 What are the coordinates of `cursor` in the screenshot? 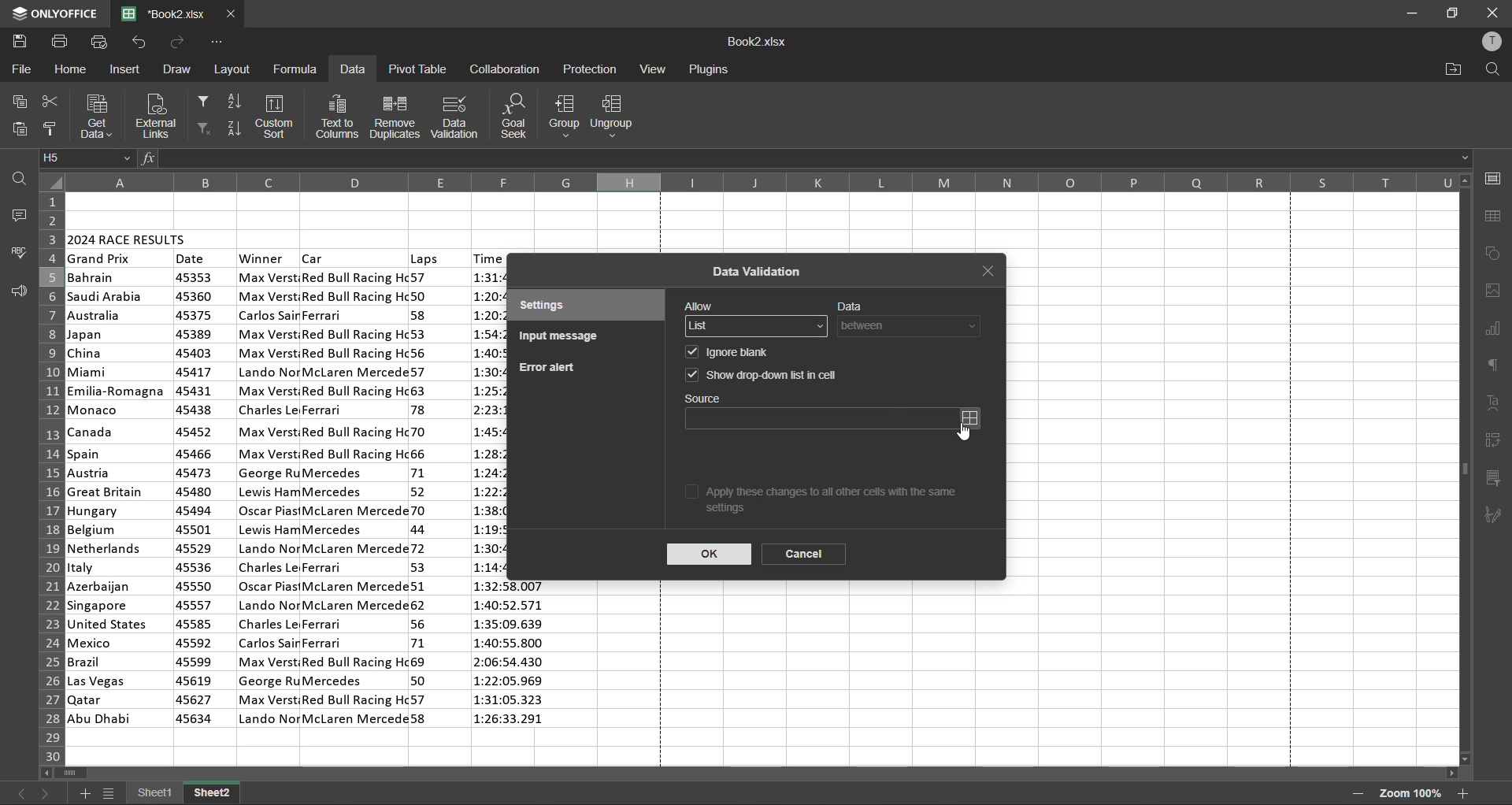 It's located at (964, 436).